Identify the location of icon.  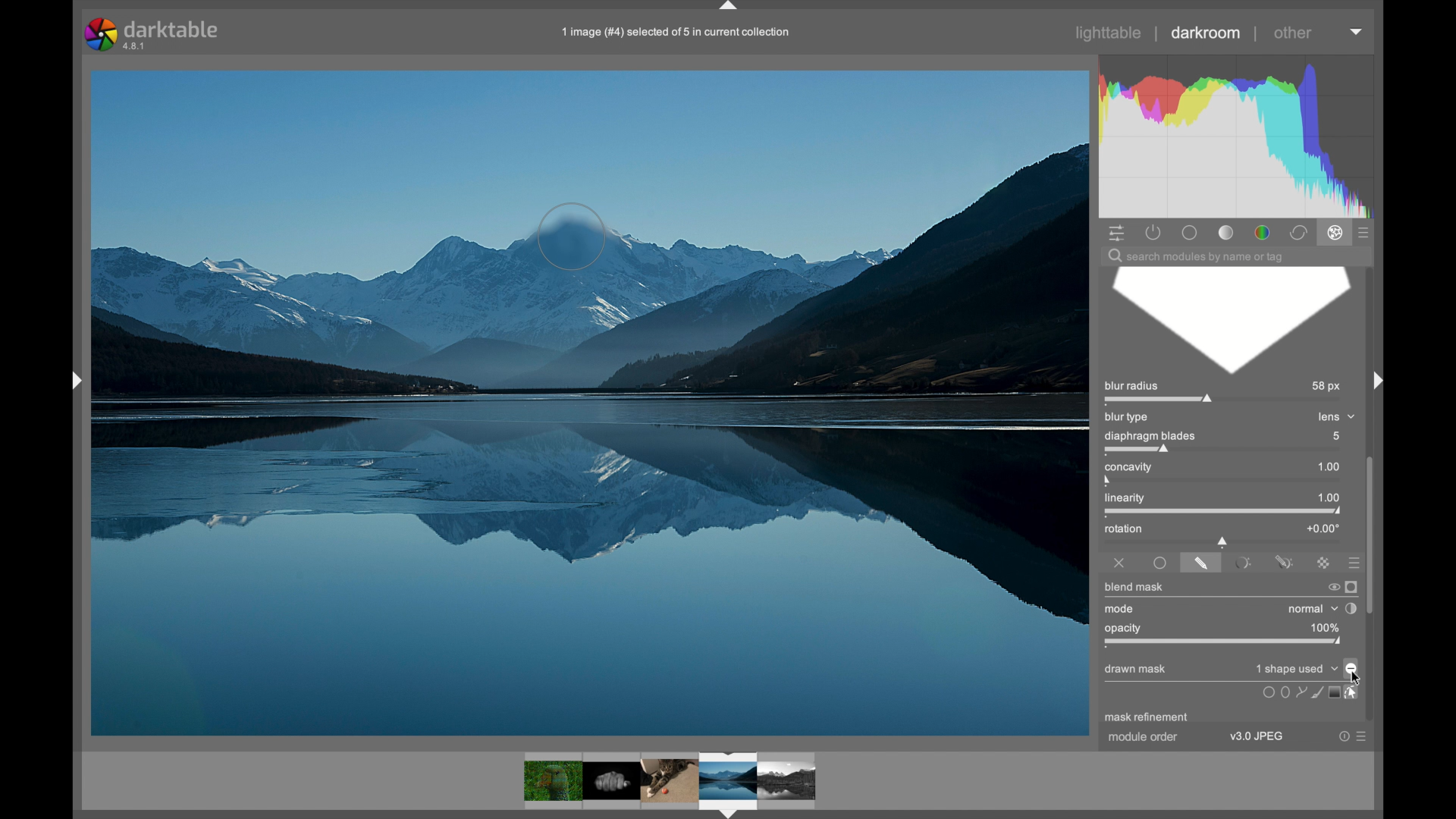
(1315, 692).